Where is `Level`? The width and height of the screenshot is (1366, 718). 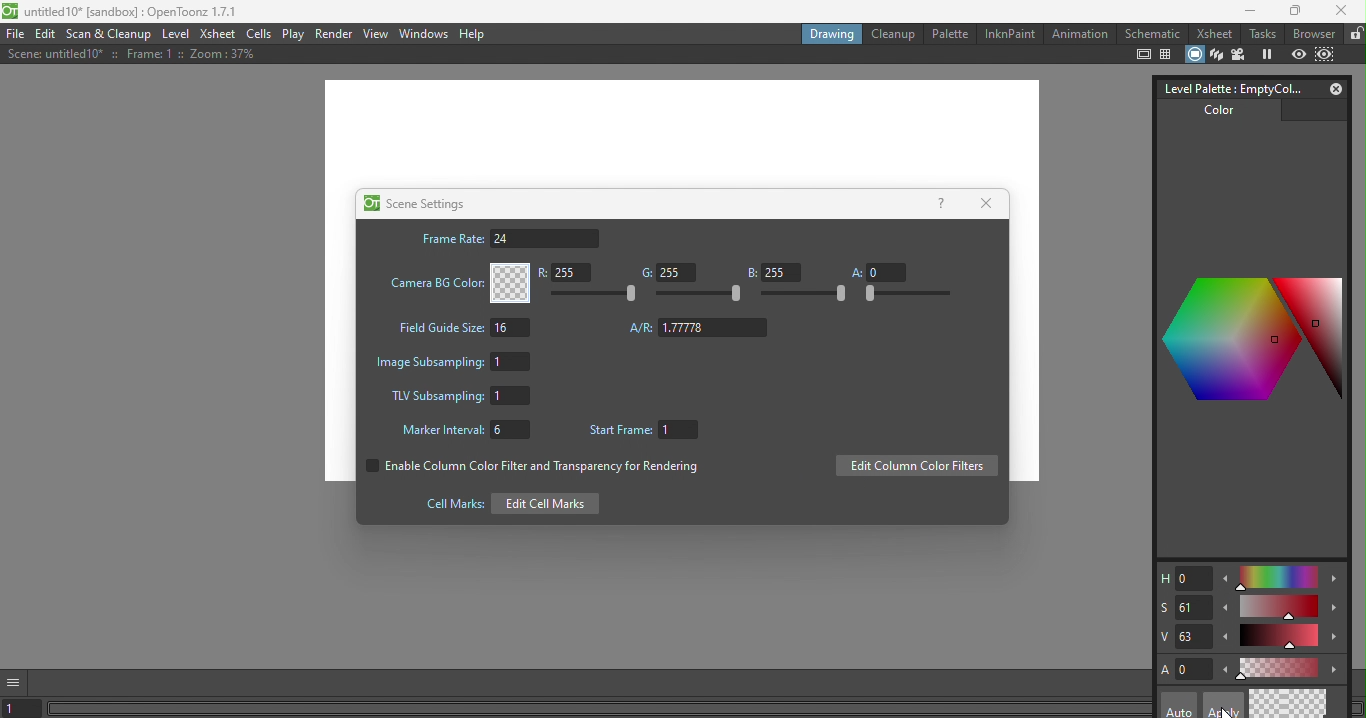
Level is located at coordinates (177, 36).